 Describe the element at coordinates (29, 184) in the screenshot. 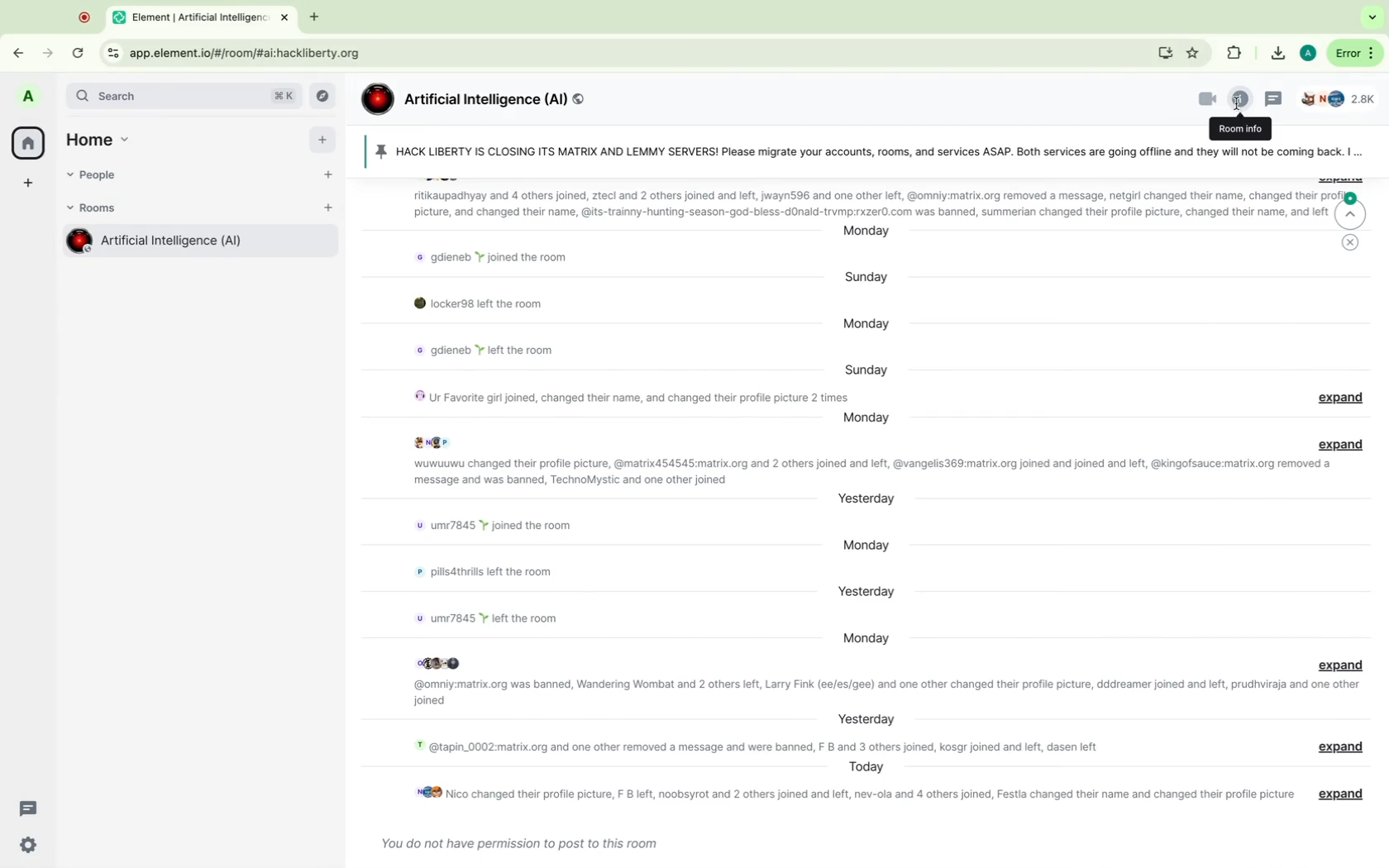

I see `create a space` at that location.